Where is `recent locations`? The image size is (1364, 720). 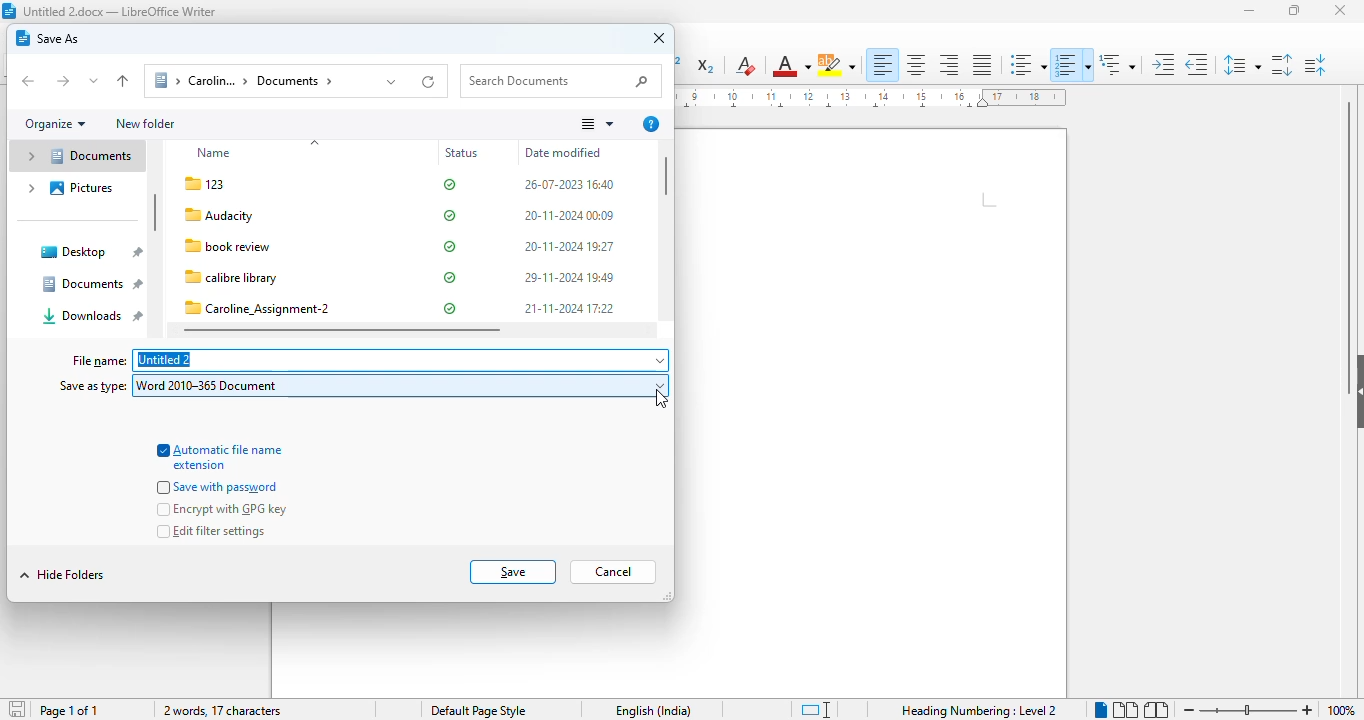 recent locations is located at coordinates (94, 81).